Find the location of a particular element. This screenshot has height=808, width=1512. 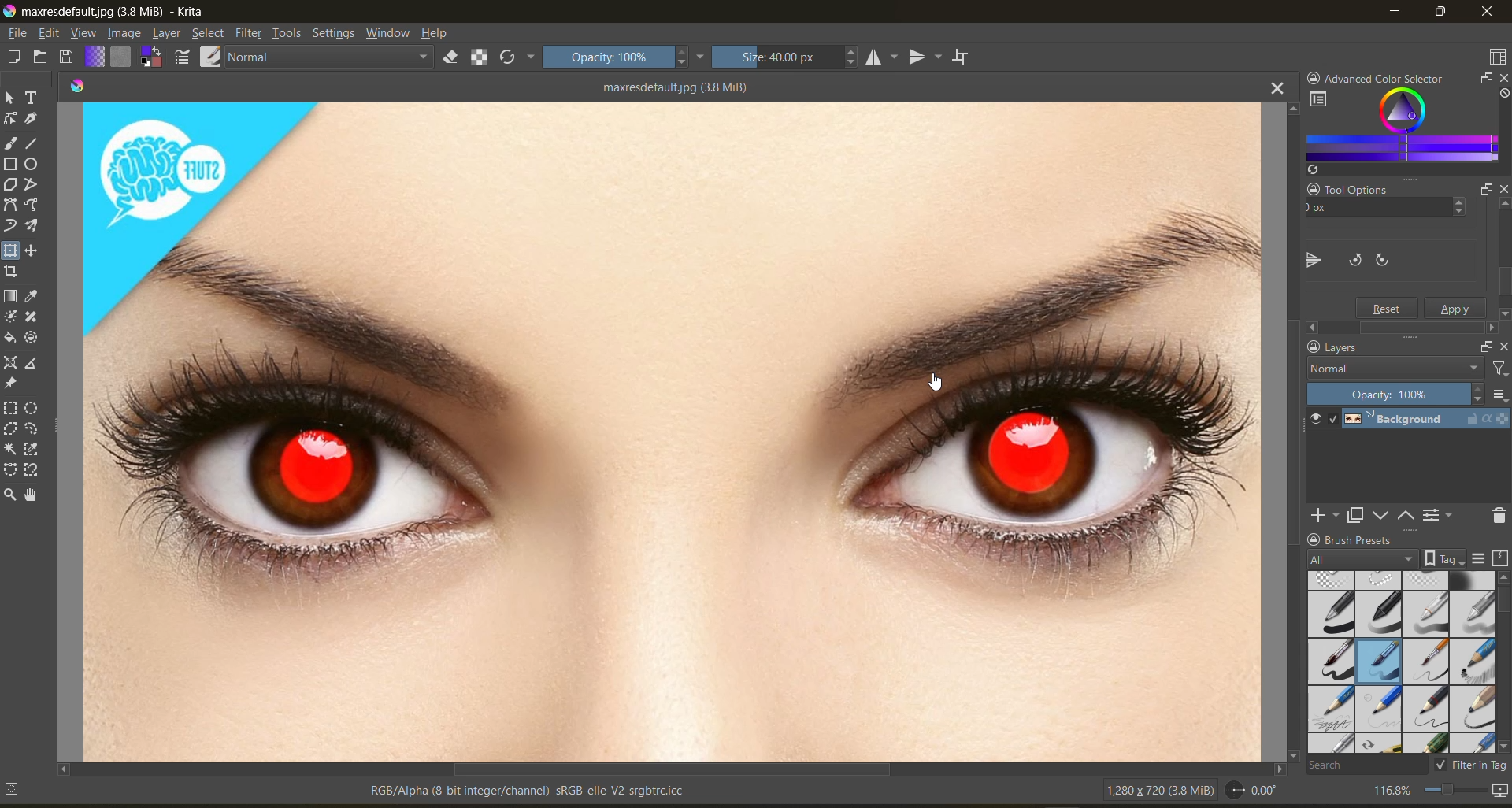

flip canvas vertically is located at coordinates (1376, 260).